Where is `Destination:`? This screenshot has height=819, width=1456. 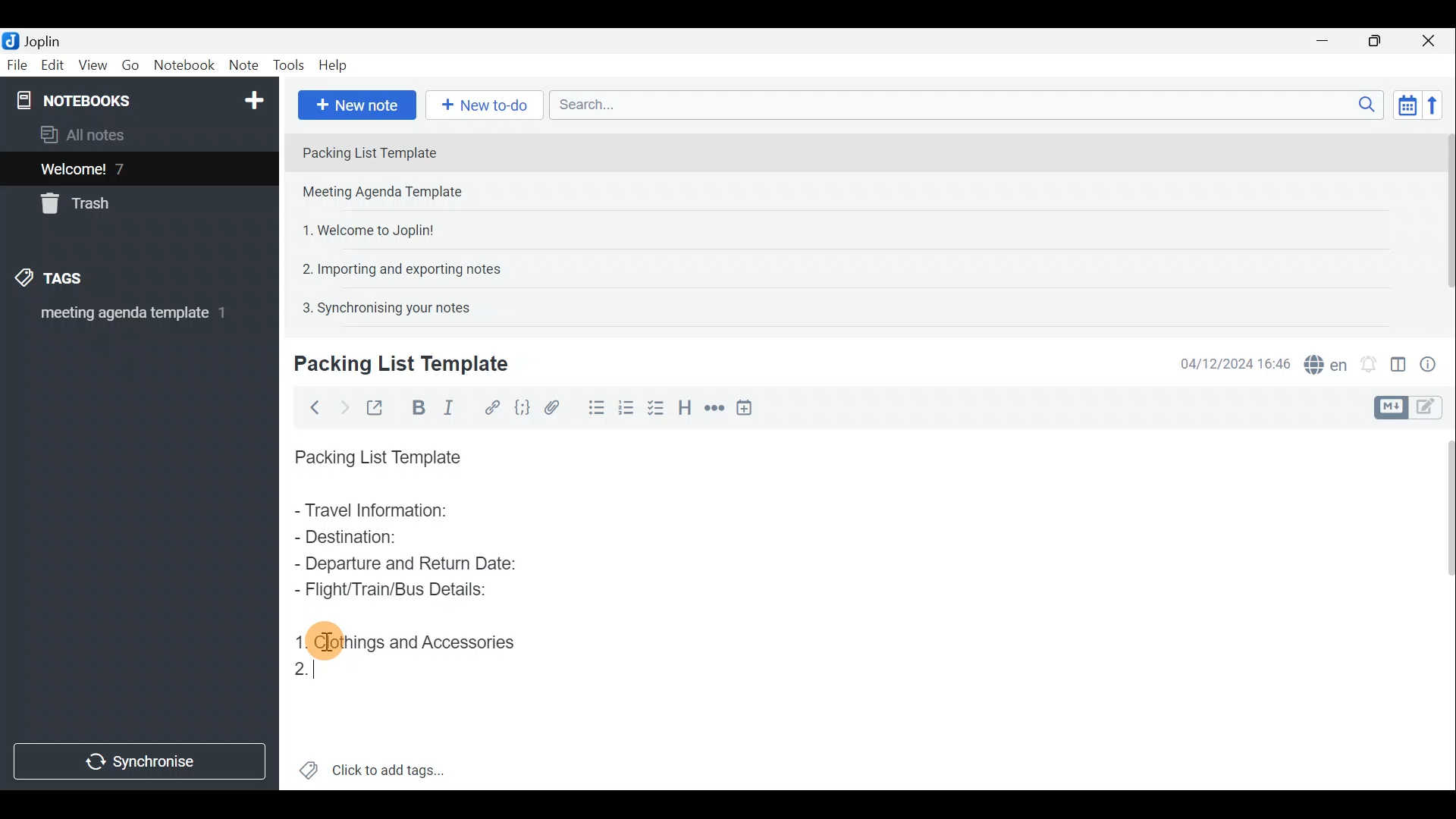 Destination: is located at coordinates (385, 538).